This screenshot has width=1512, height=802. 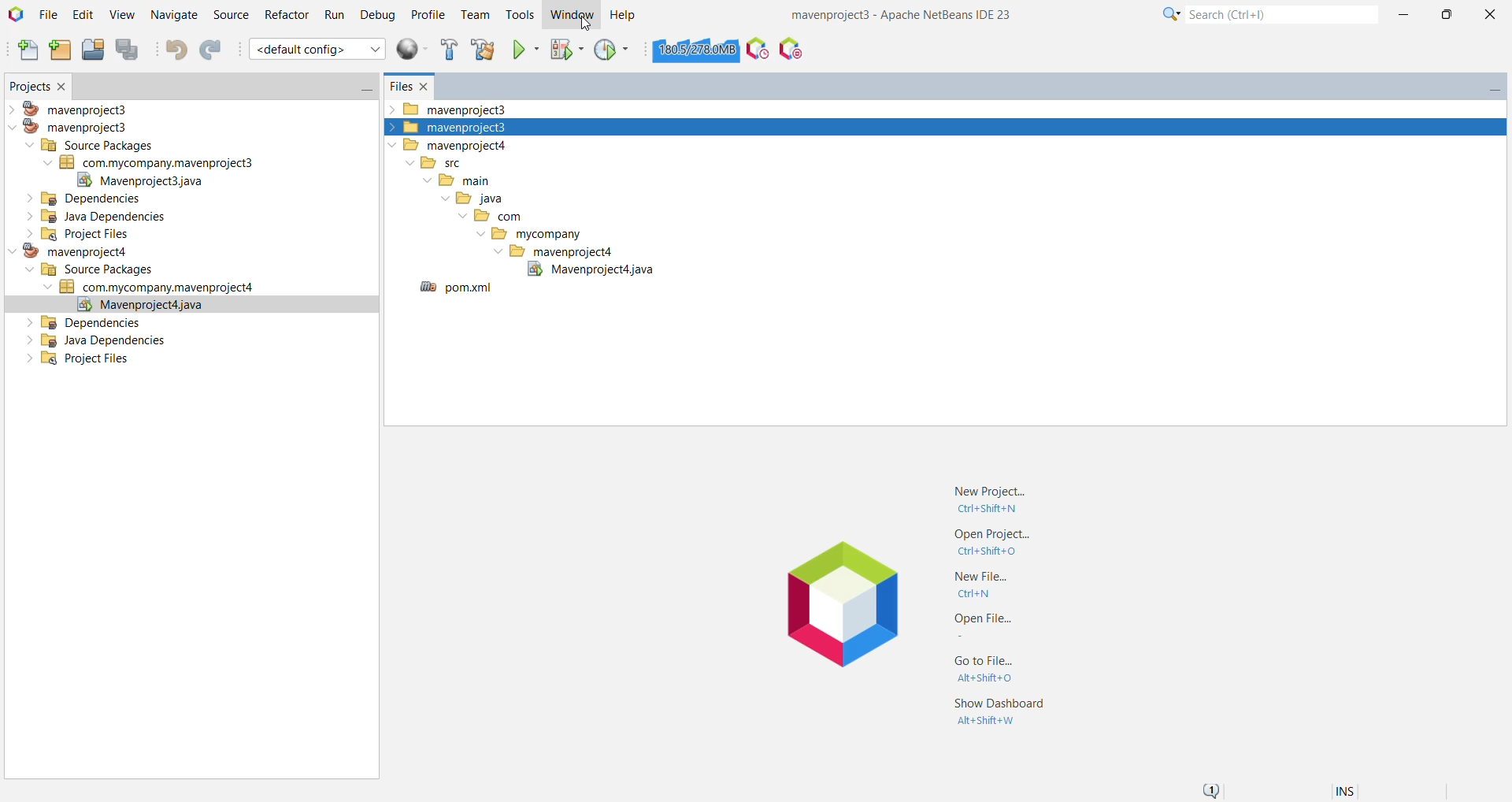 I want to click on Navigate, so click(x=172, y=16).